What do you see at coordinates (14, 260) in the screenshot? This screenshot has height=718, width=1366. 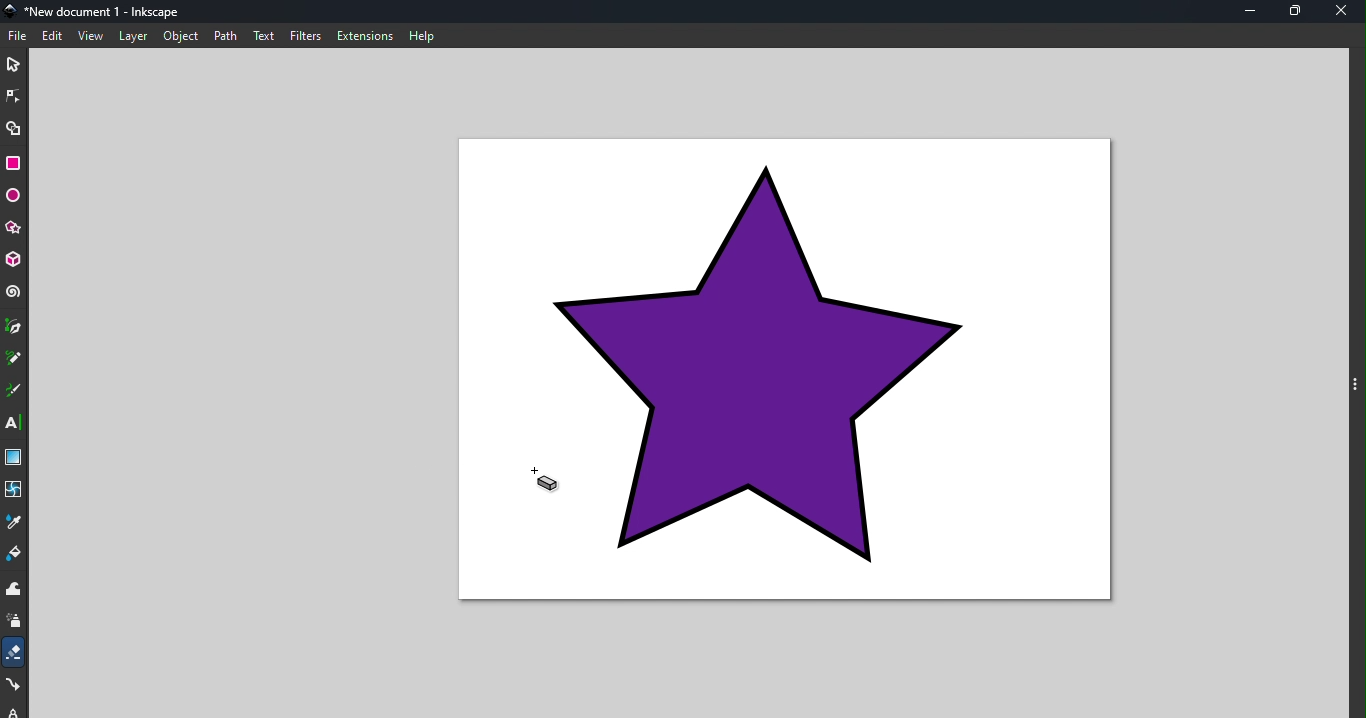 I see `3D box tool` at bounding box center [14, 260].